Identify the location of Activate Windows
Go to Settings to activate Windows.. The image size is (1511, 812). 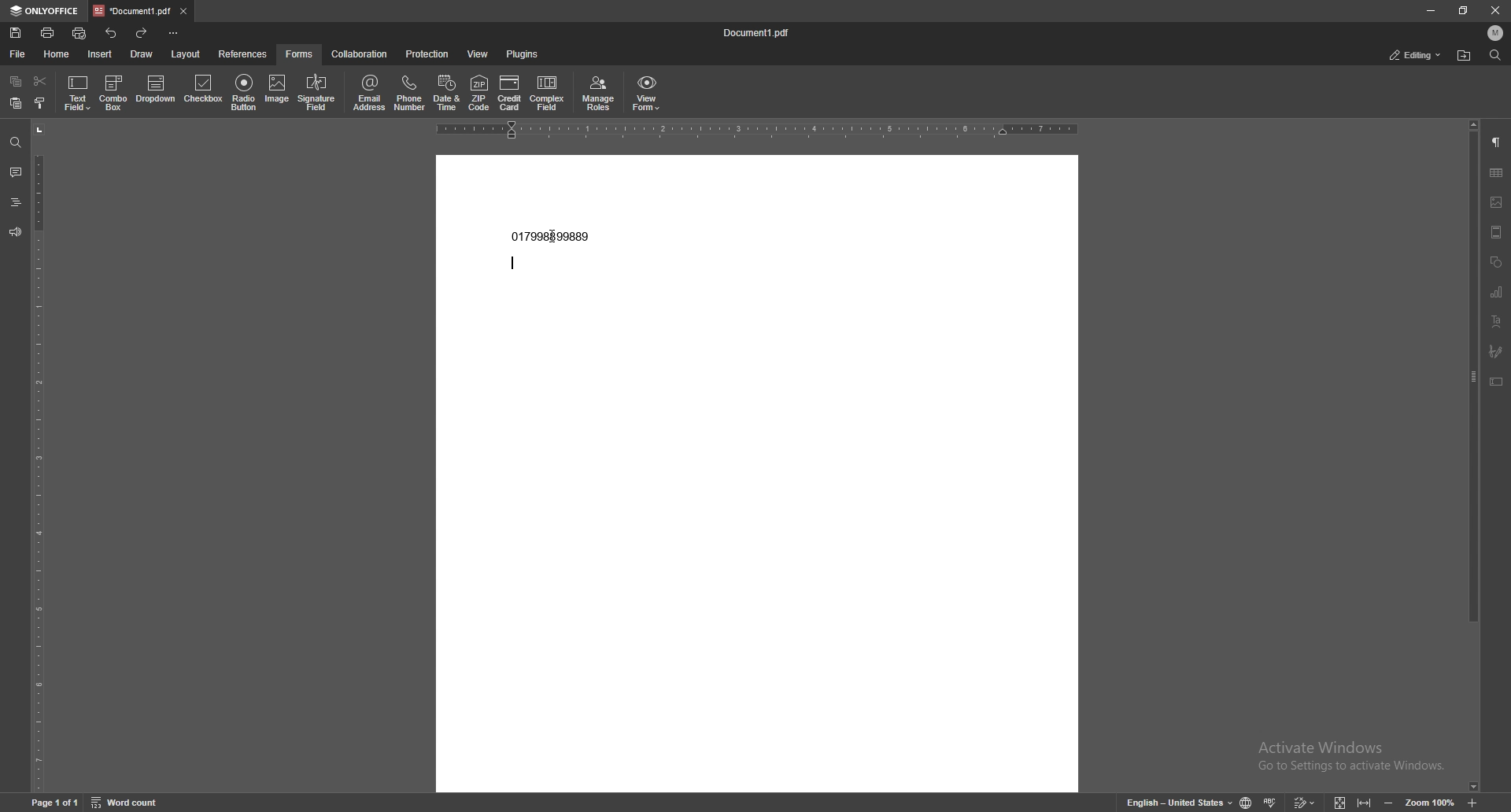
(1354, 757).